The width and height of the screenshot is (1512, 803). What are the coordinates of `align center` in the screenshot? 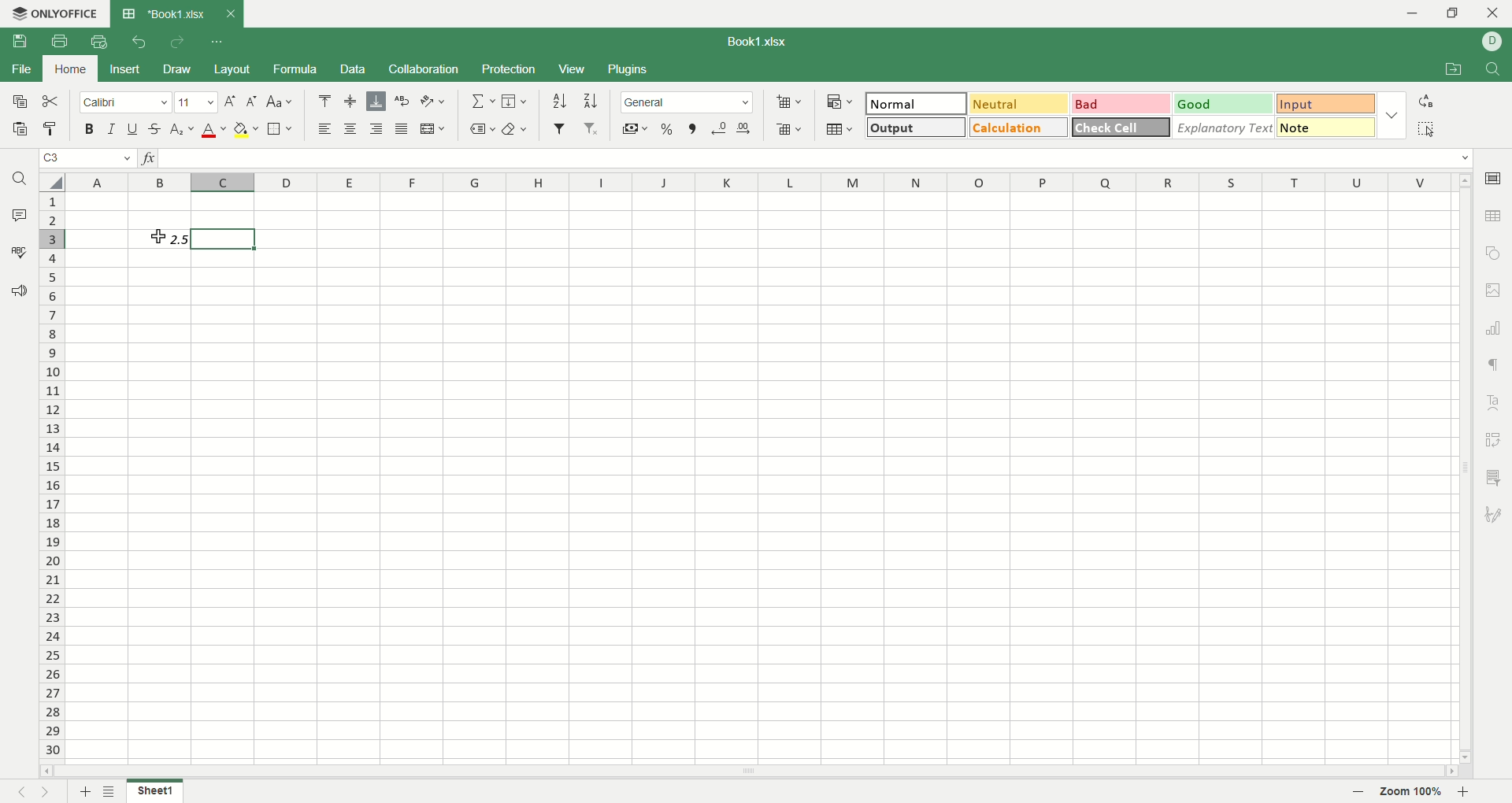 It's located at (349, 128).